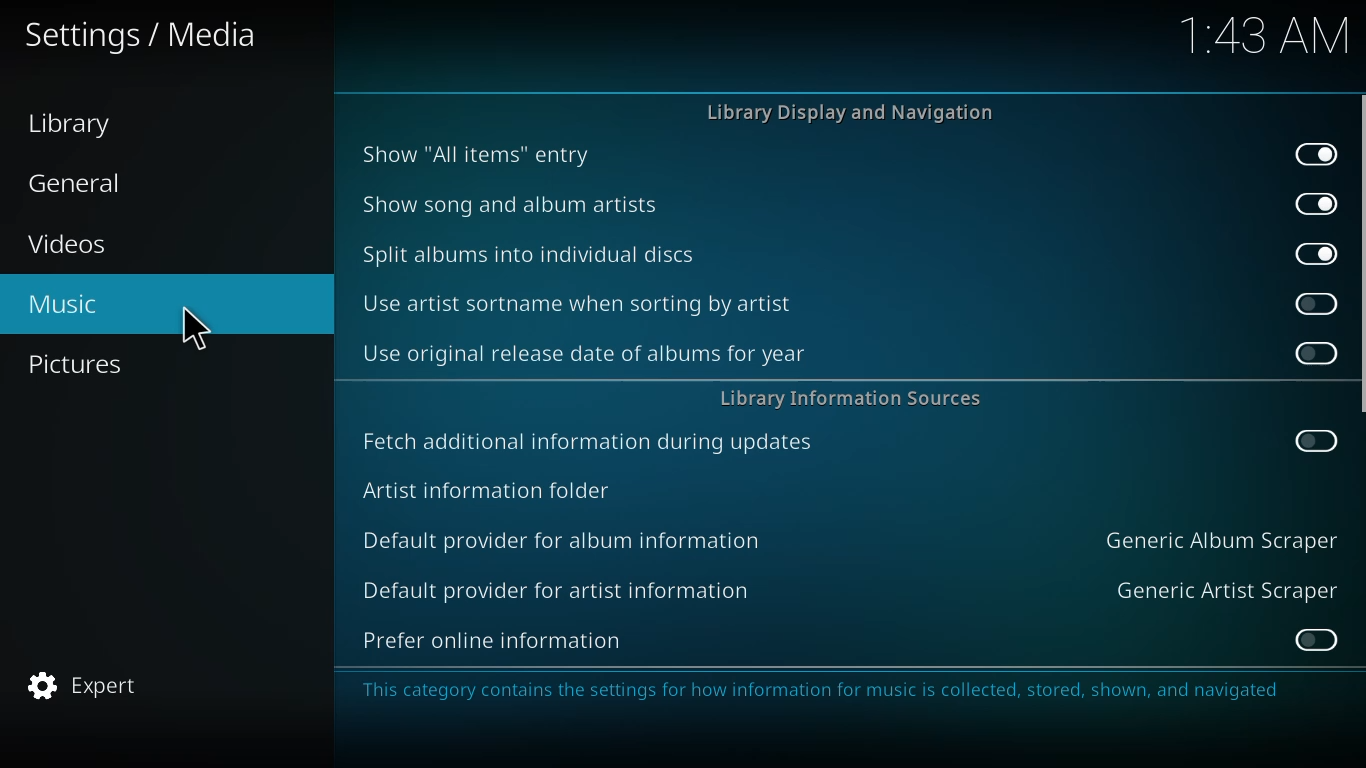  Describe the element at coordinates (1219, 539) in the screenshot. I see `generic album scraper` at that location.